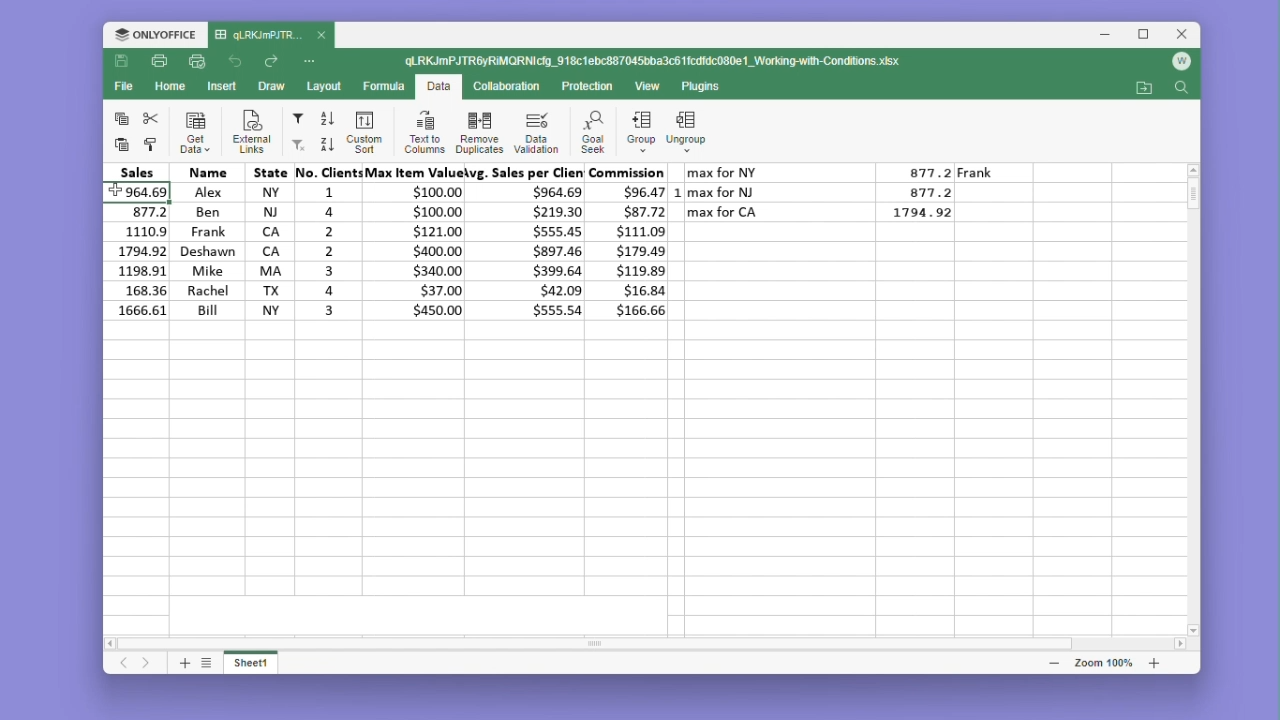 The image size is (1280, 720). I want to click on Text to columns, so click(424, 131).